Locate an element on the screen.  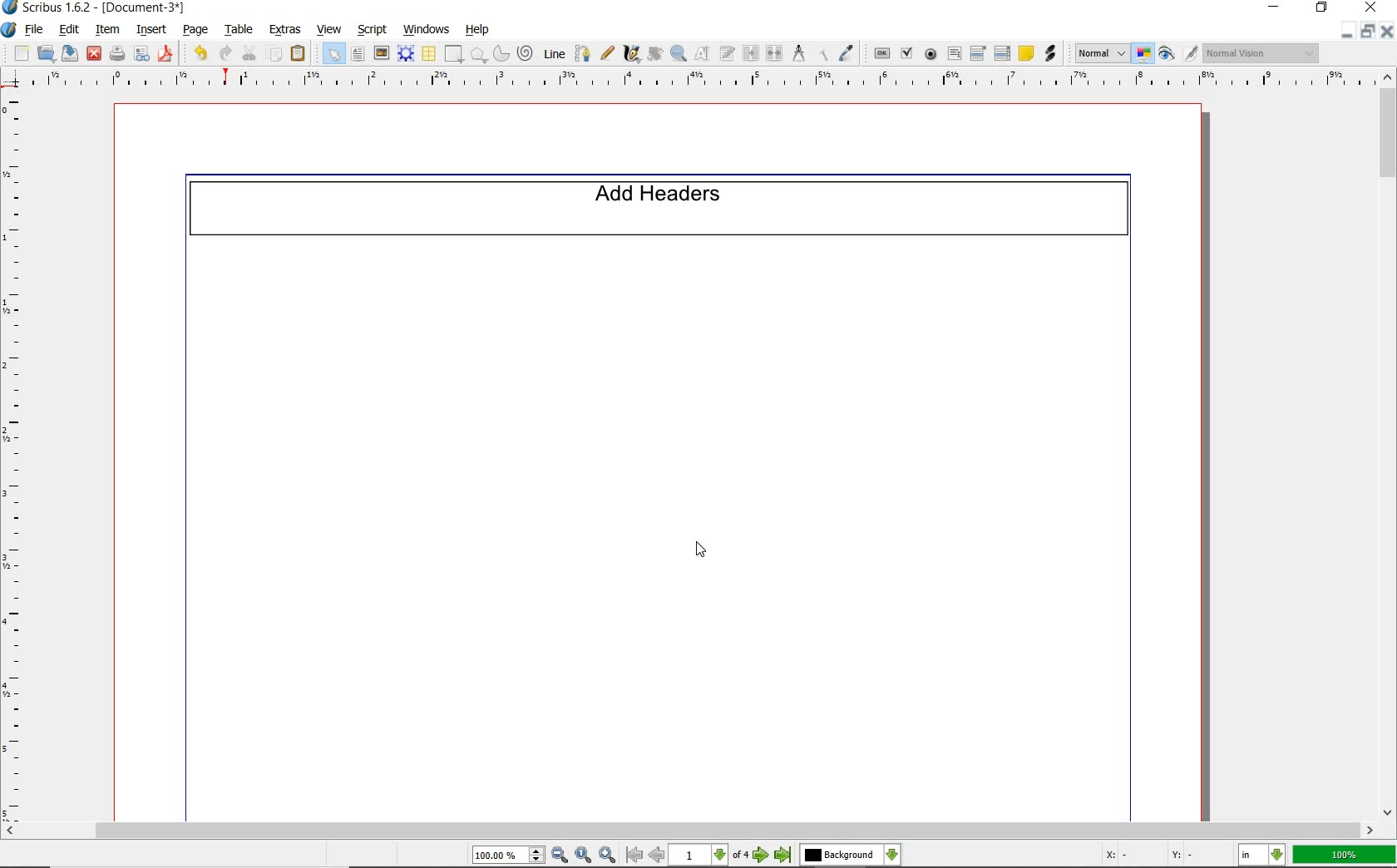
go to first page is located at coordinates (634, 856).